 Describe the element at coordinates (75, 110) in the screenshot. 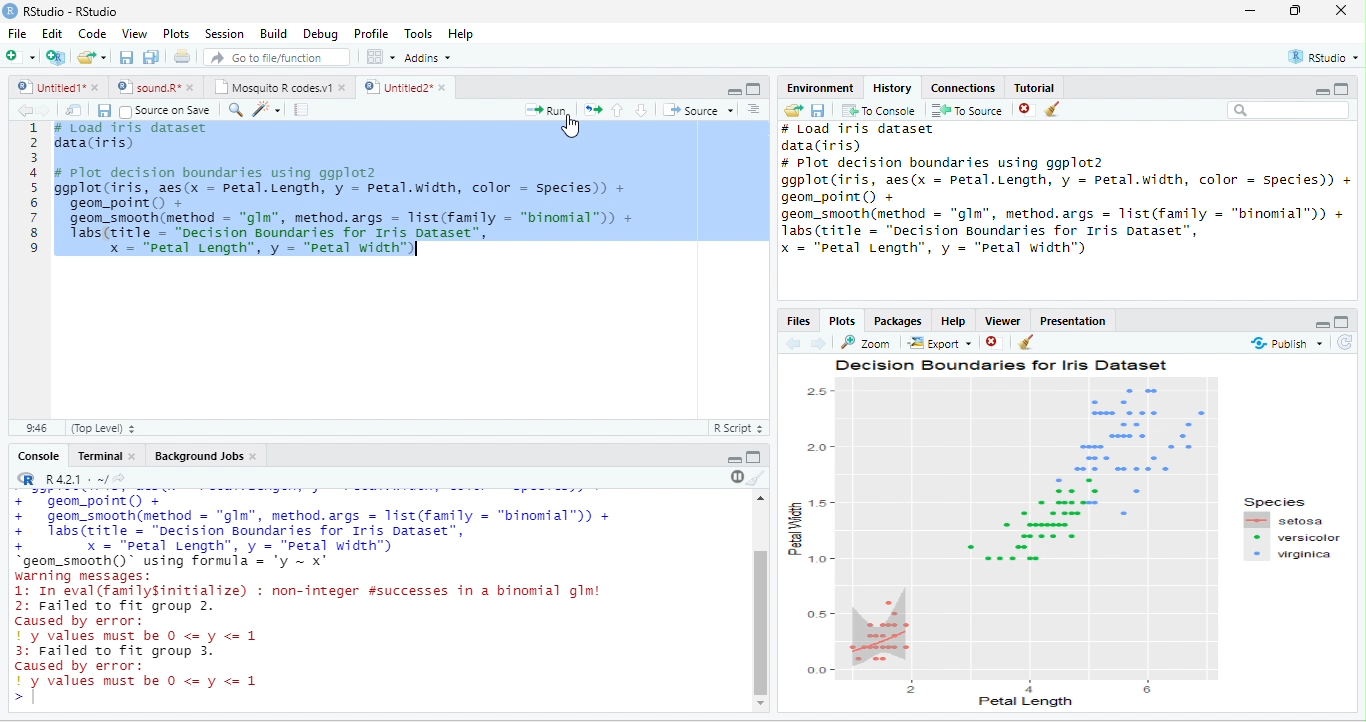

I see `show in new window` at that location.